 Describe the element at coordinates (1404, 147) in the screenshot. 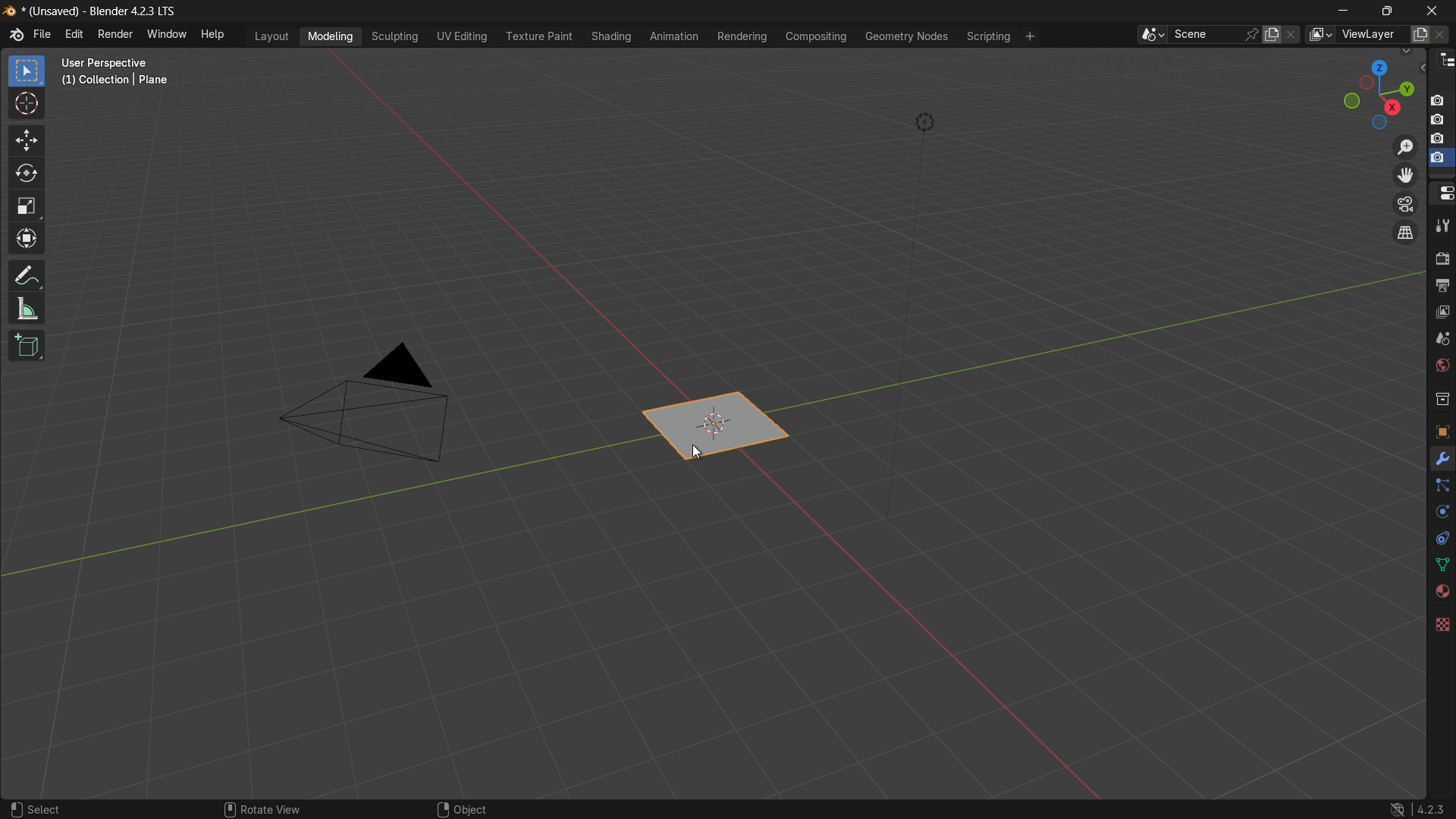

I see `zoom in/out` at that location.